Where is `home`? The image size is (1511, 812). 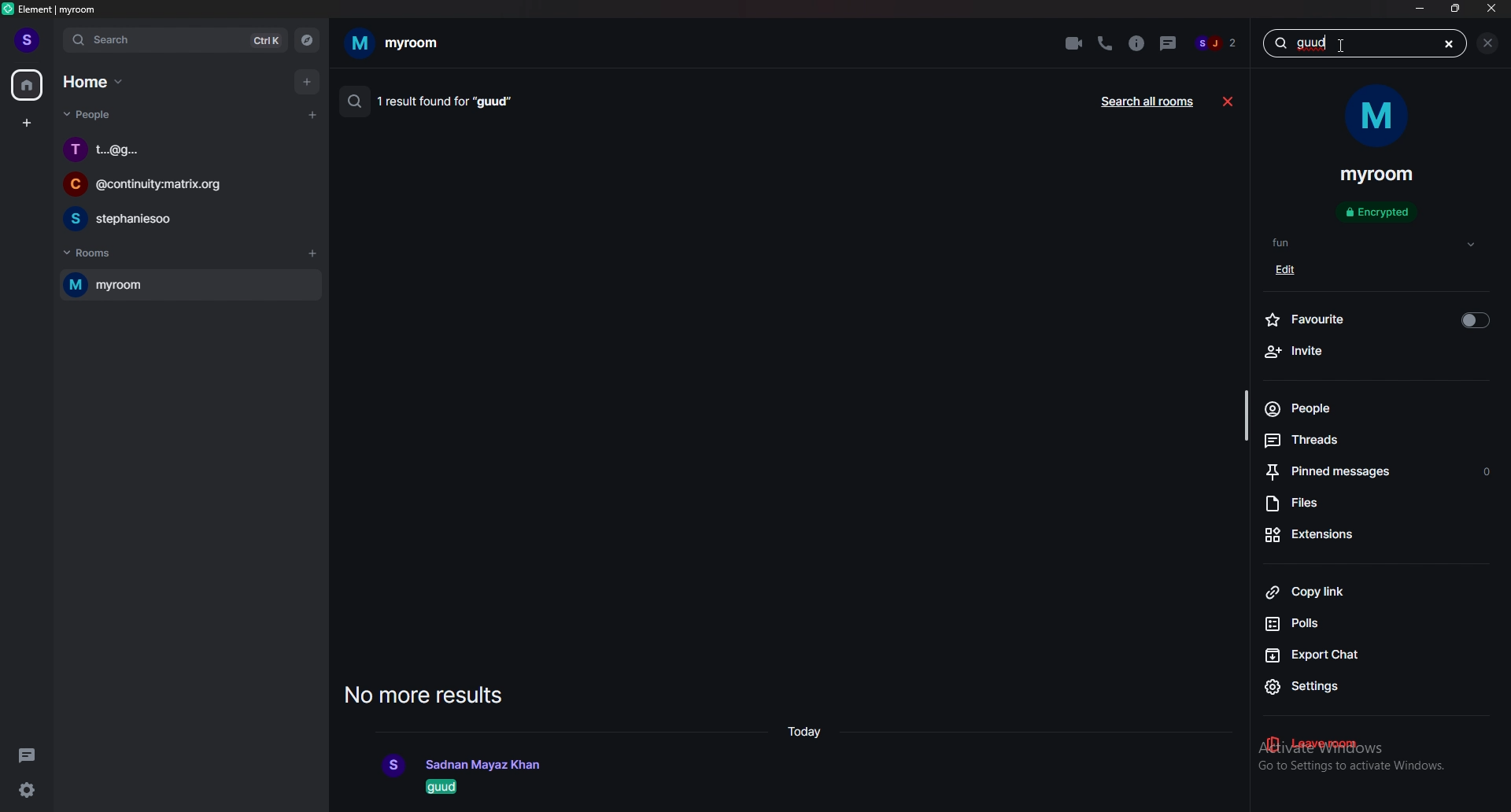 home is located at coordinates (28, 84).